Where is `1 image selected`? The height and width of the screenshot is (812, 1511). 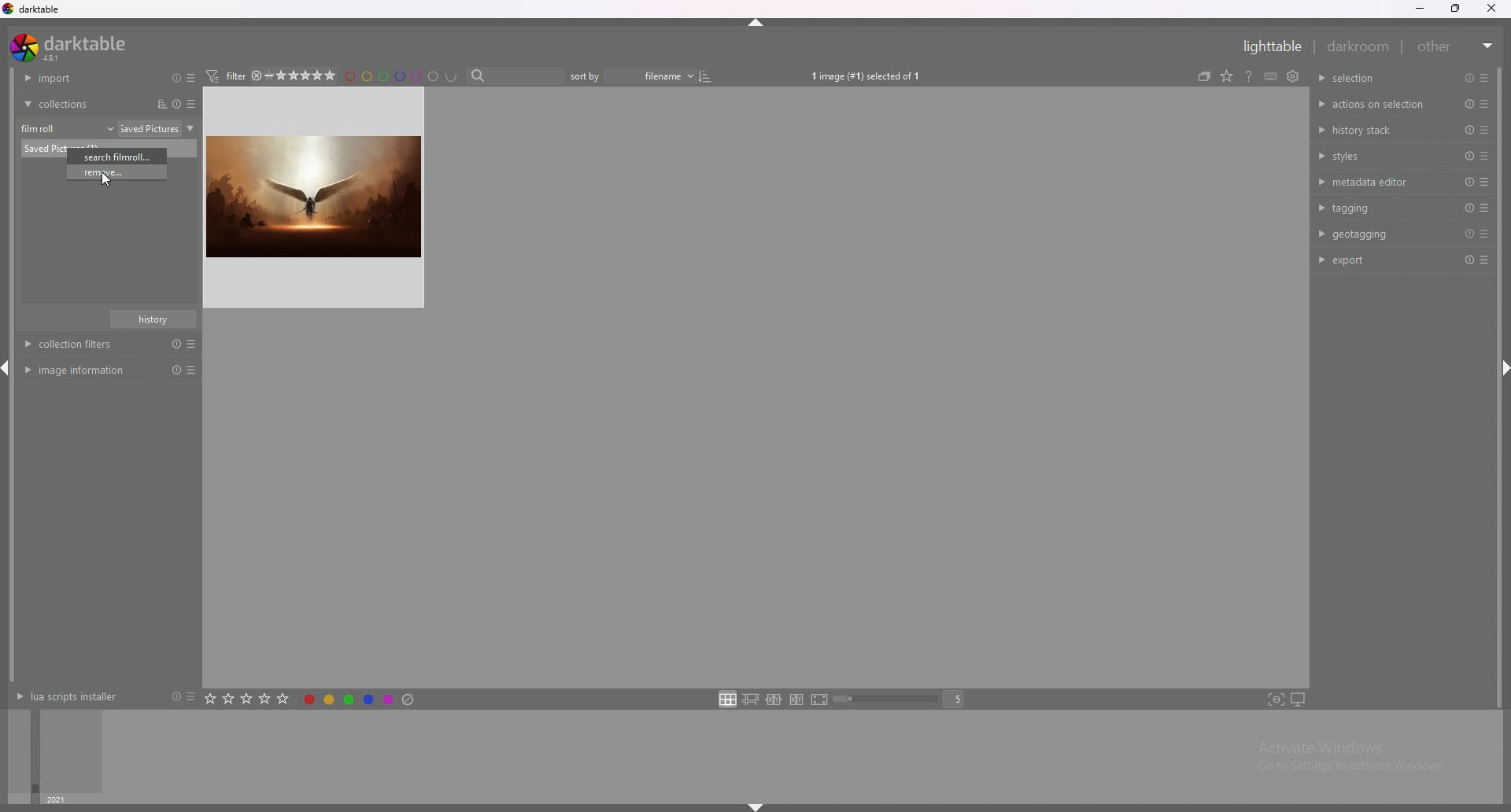 1 image selected is located at coordinates (872, 76).